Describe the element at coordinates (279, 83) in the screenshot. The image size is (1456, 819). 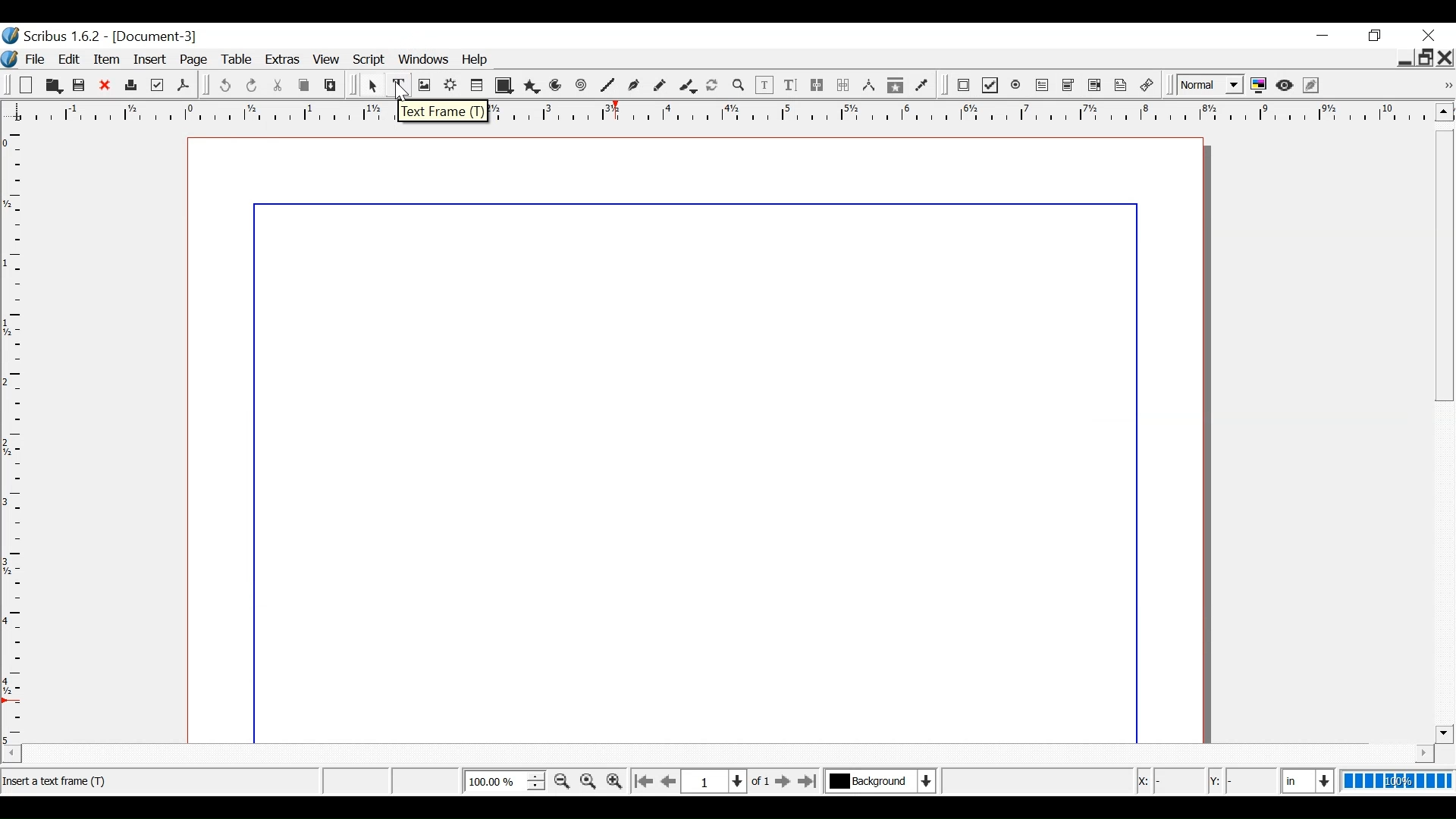
I see `Cut` at that location.